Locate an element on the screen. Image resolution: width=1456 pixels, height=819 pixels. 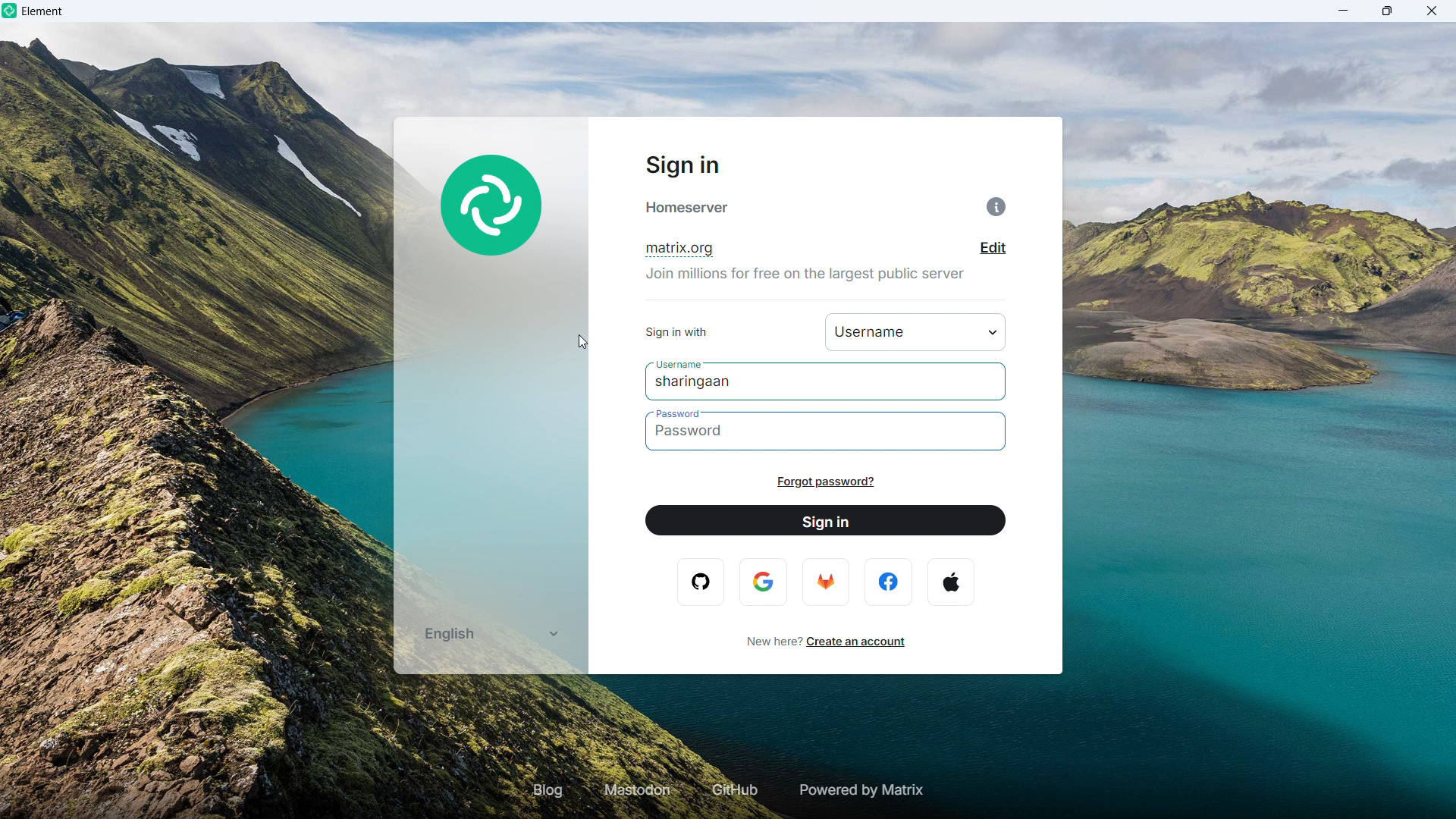
element is located at coordinates (43, 13).